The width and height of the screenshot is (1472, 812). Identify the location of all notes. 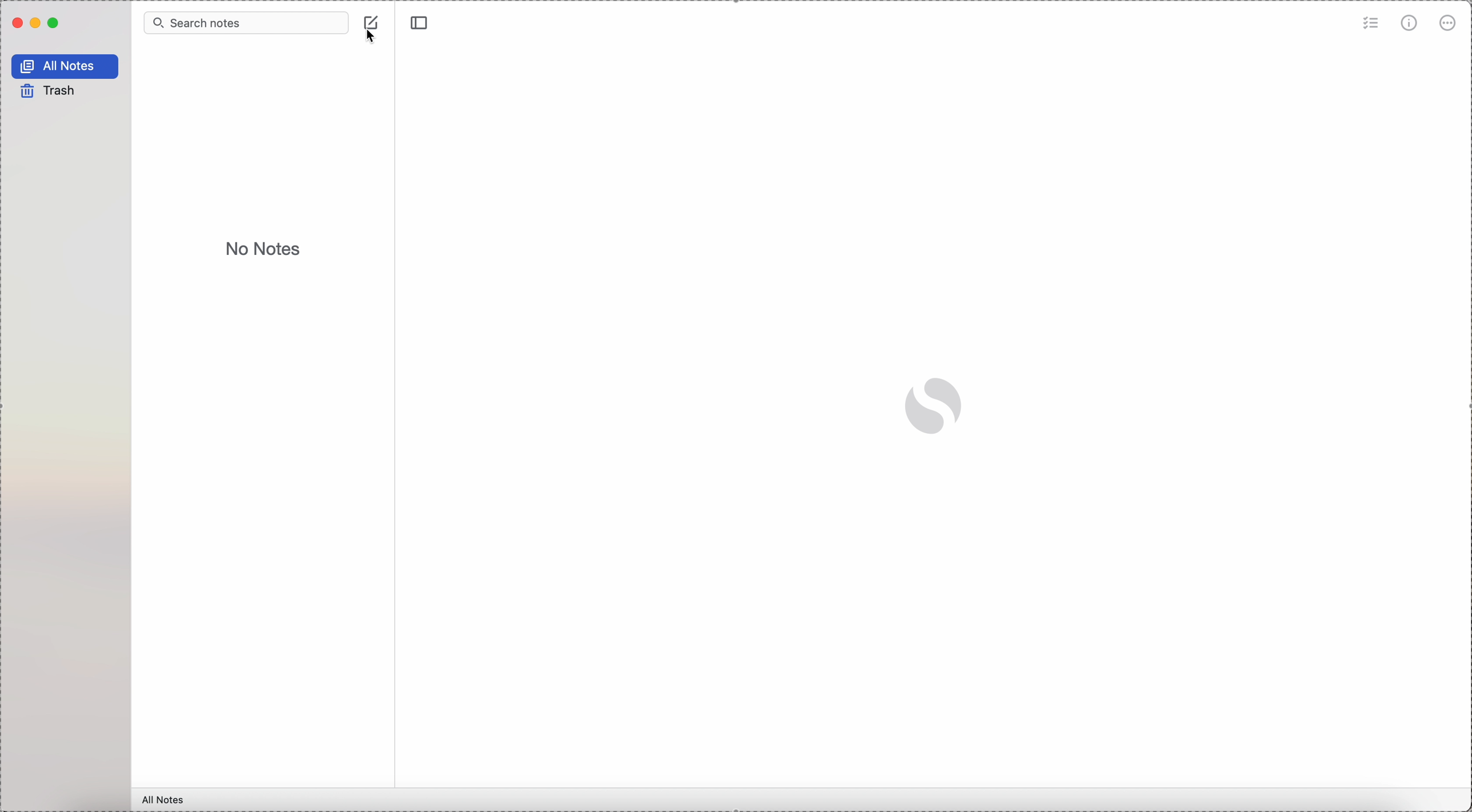
(166, 800).